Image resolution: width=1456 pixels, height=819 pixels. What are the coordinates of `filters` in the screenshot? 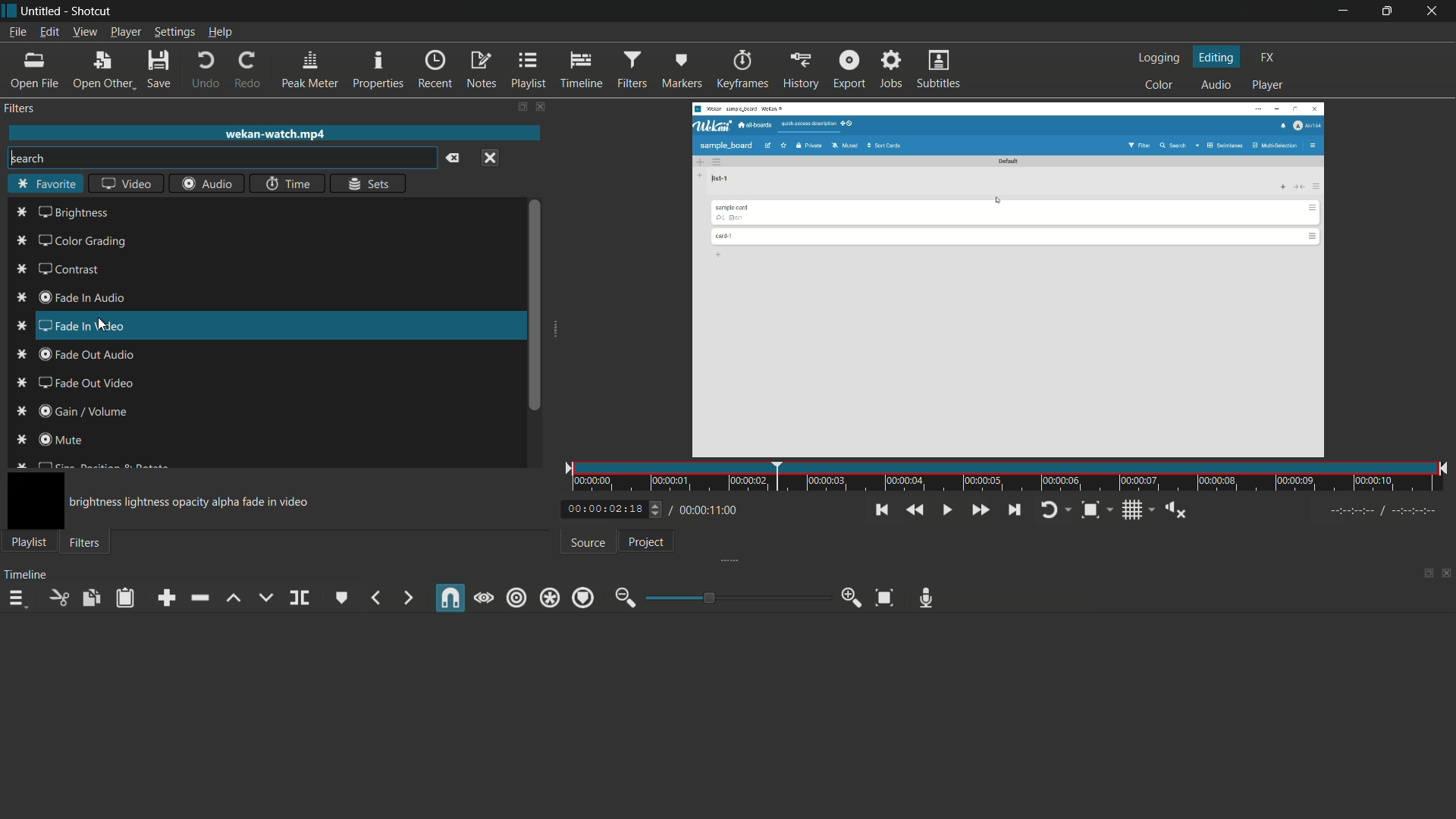 It's located at (20, 108).